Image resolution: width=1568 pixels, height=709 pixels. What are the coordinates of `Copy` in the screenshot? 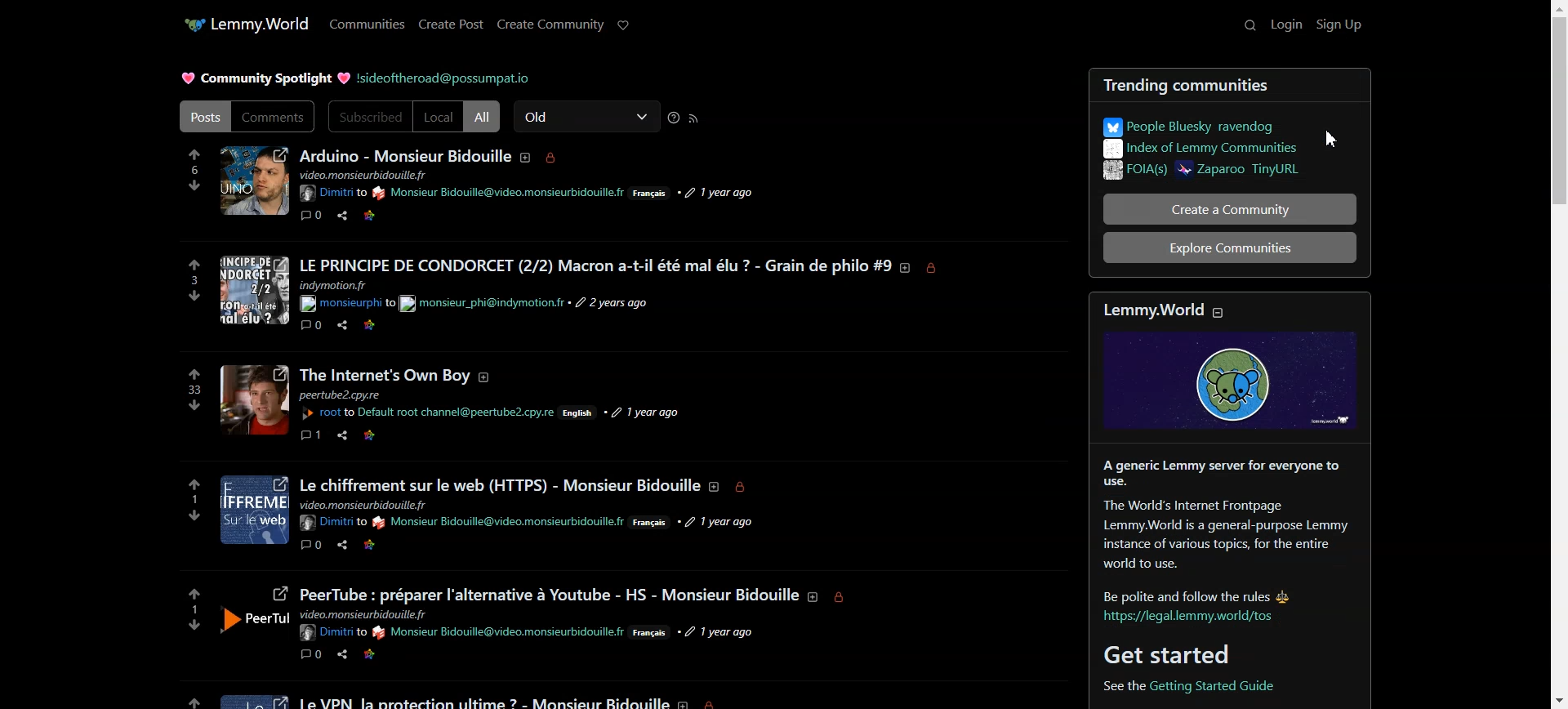 It's located at (430, 216).